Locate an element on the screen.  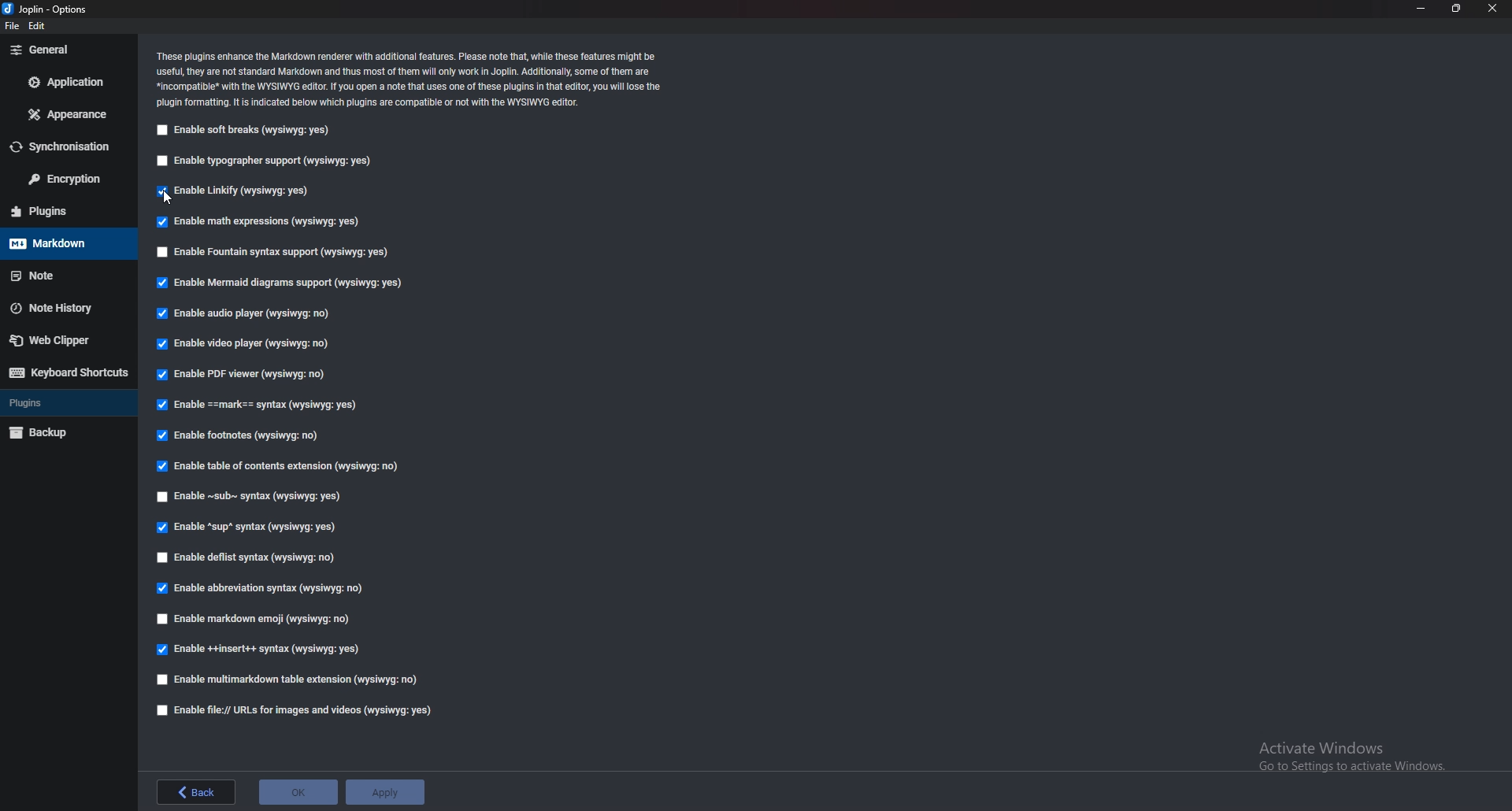
file is located at coordinates (11, 26).